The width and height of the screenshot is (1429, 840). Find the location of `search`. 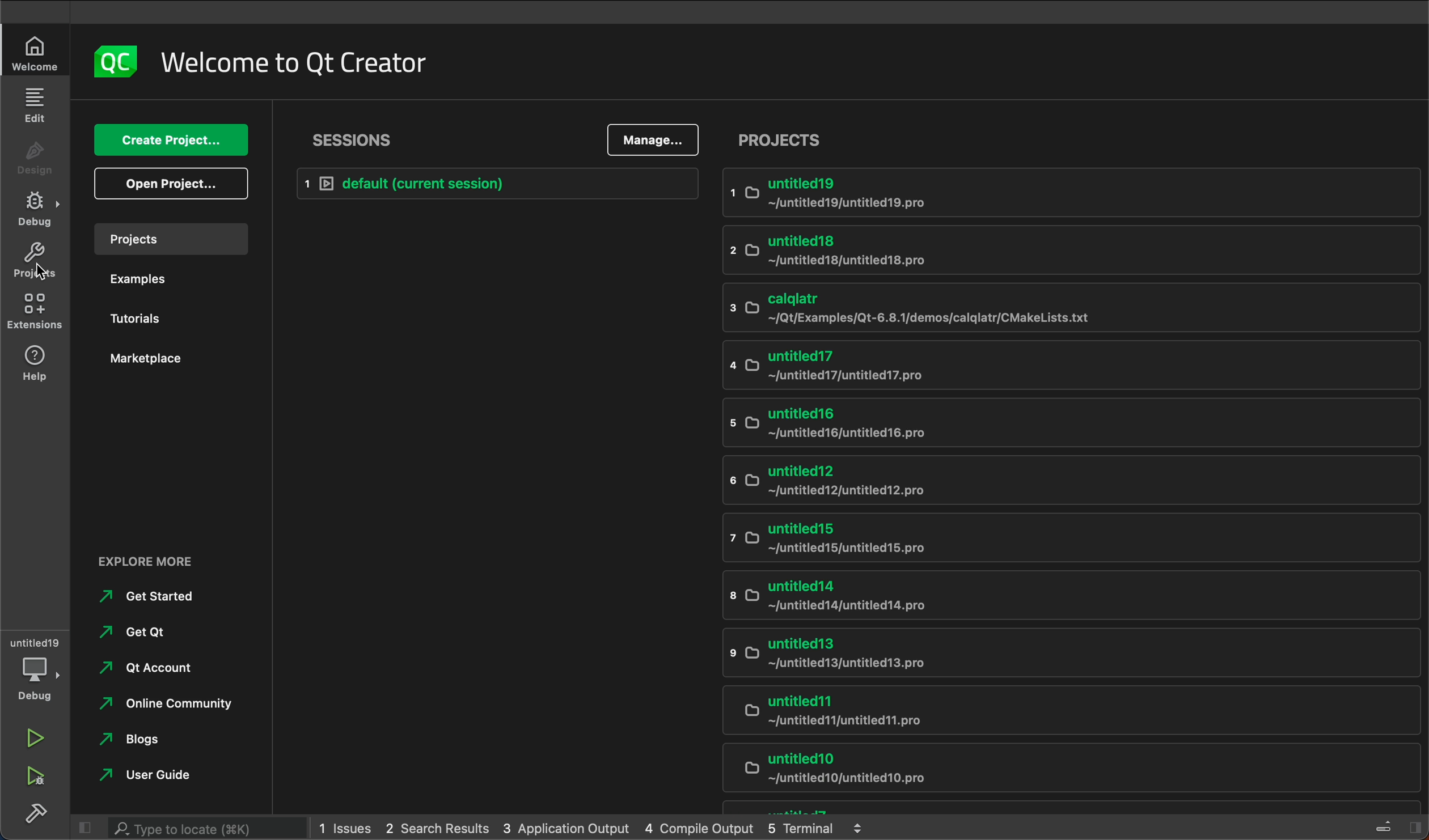

search is located at coordinates (195, 828).